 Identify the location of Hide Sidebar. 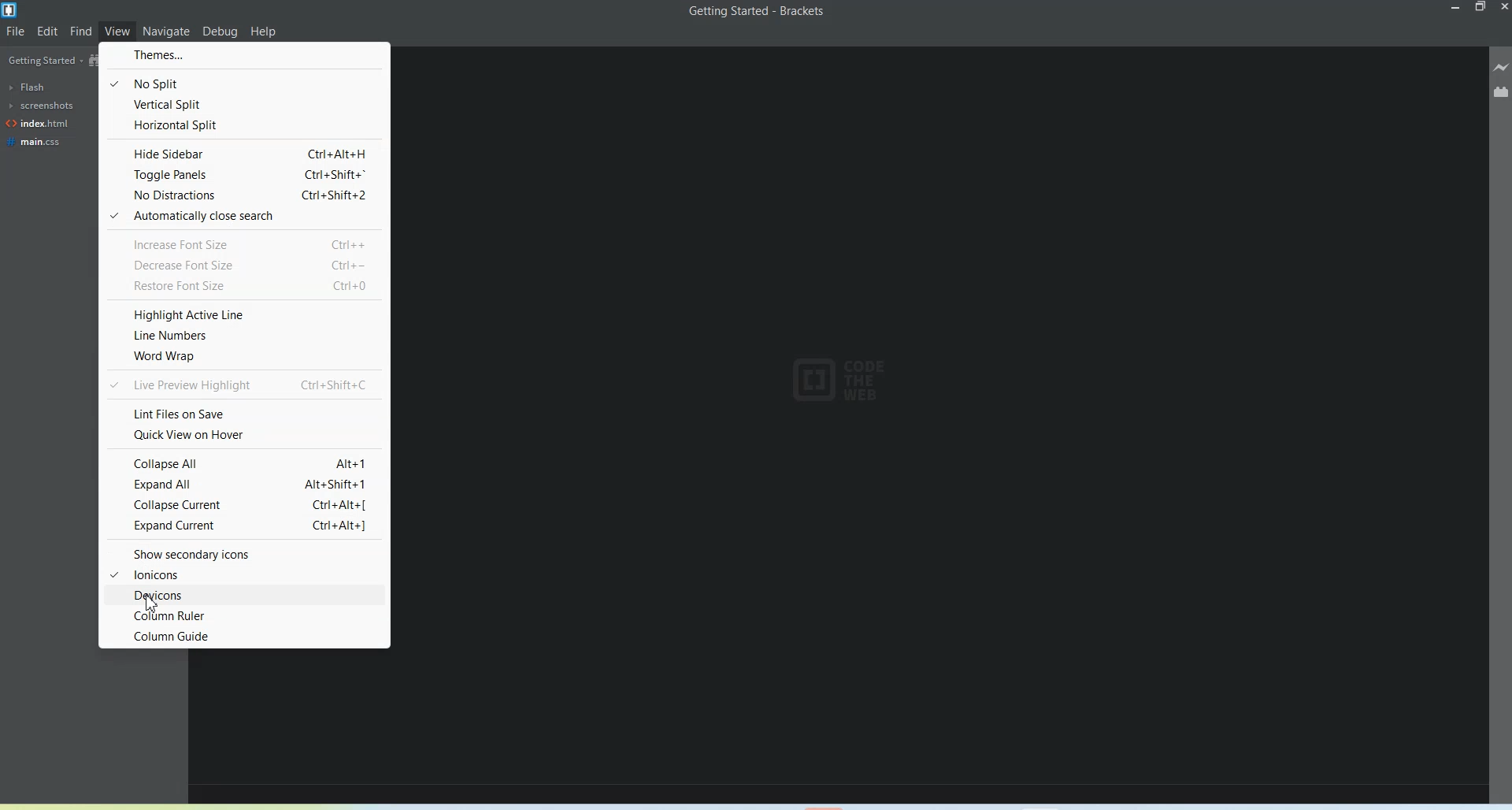
(242, 153).